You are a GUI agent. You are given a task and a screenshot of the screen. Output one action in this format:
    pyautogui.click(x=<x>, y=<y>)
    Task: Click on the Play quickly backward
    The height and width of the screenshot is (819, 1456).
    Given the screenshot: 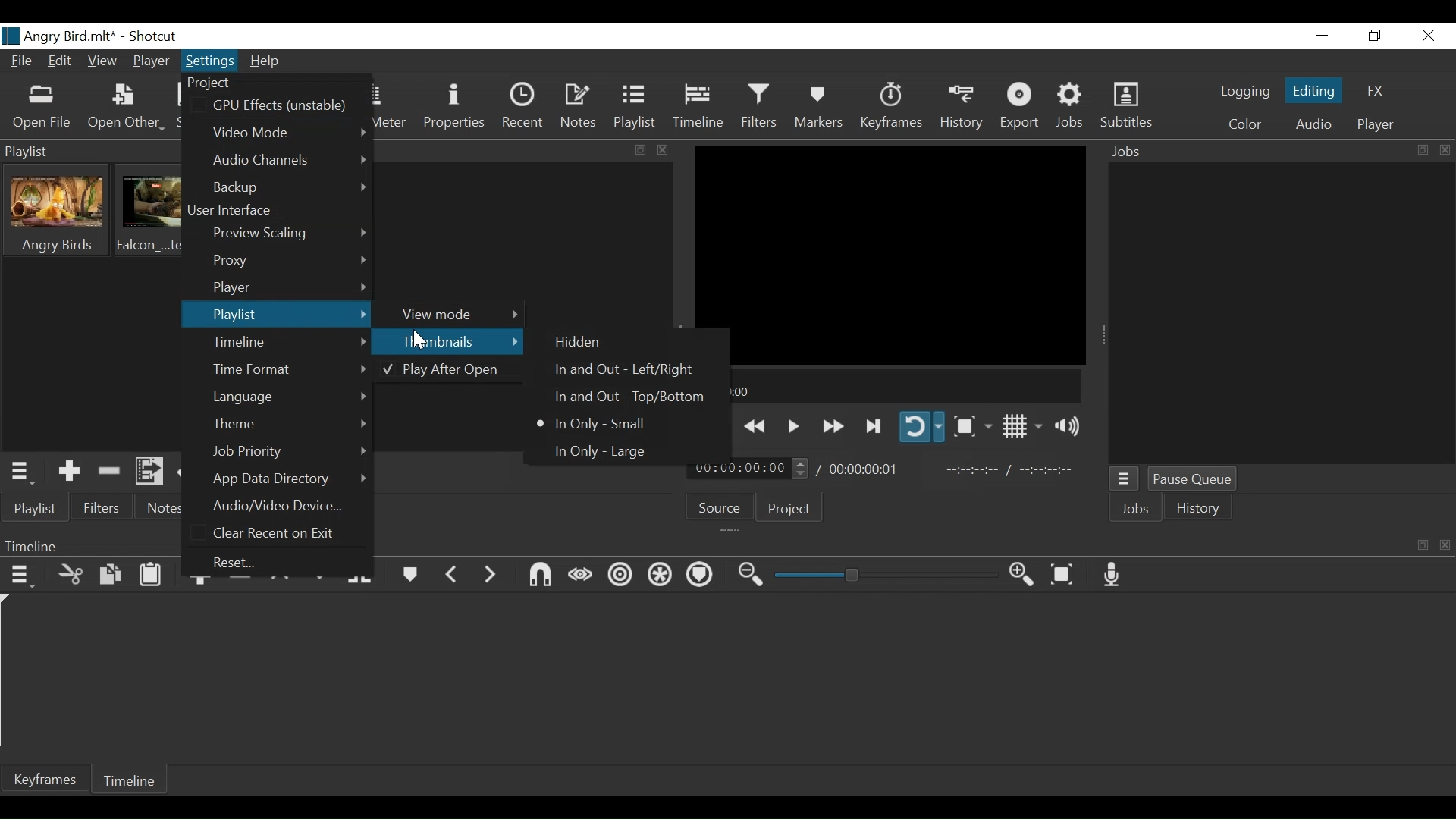 What is the action you would take?
    pyautogui.click(x=756, y=426)
    